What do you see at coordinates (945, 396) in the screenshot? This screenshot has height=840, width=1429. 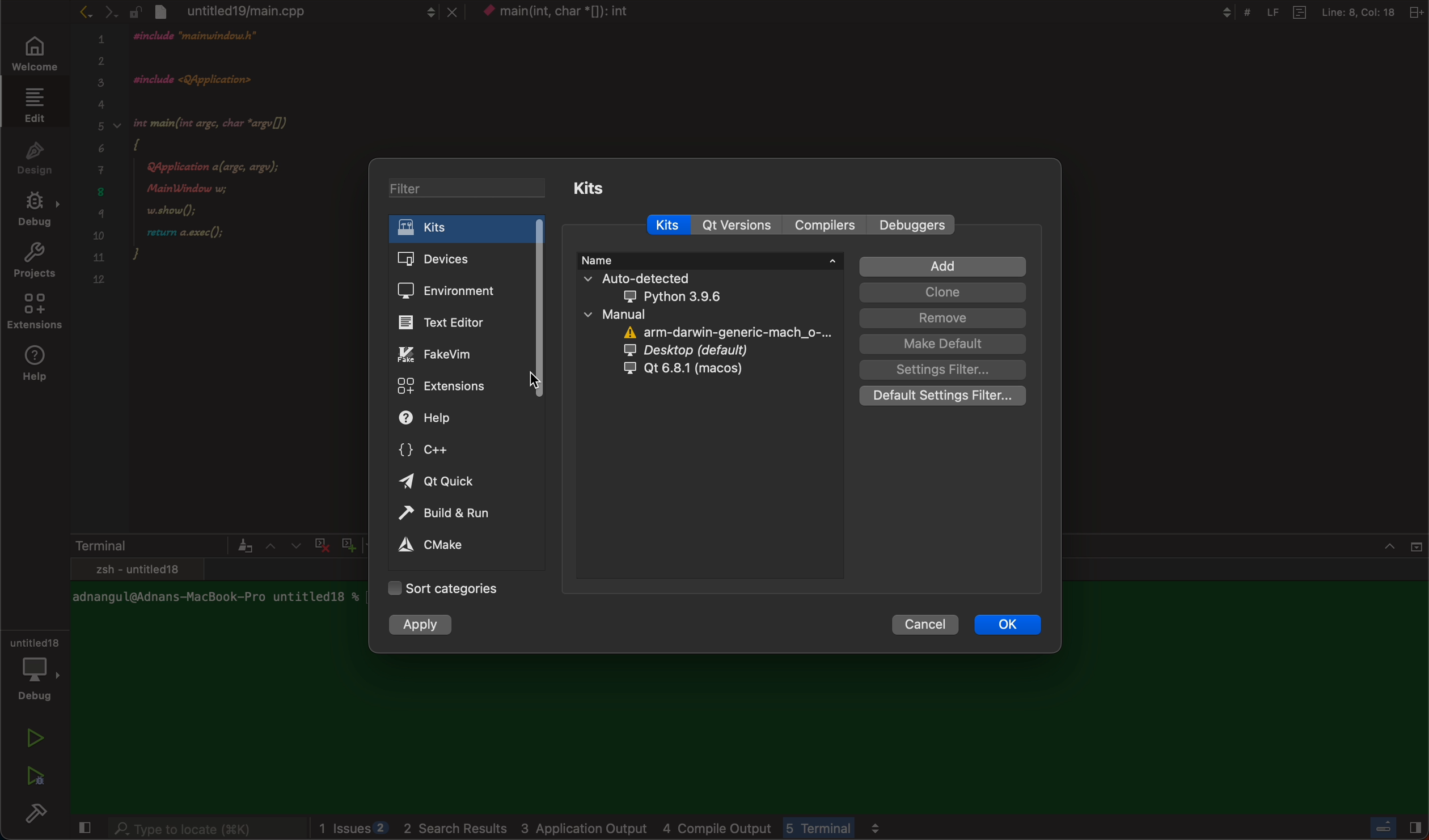 I see `Default settings` at bounding box center [945, 396].